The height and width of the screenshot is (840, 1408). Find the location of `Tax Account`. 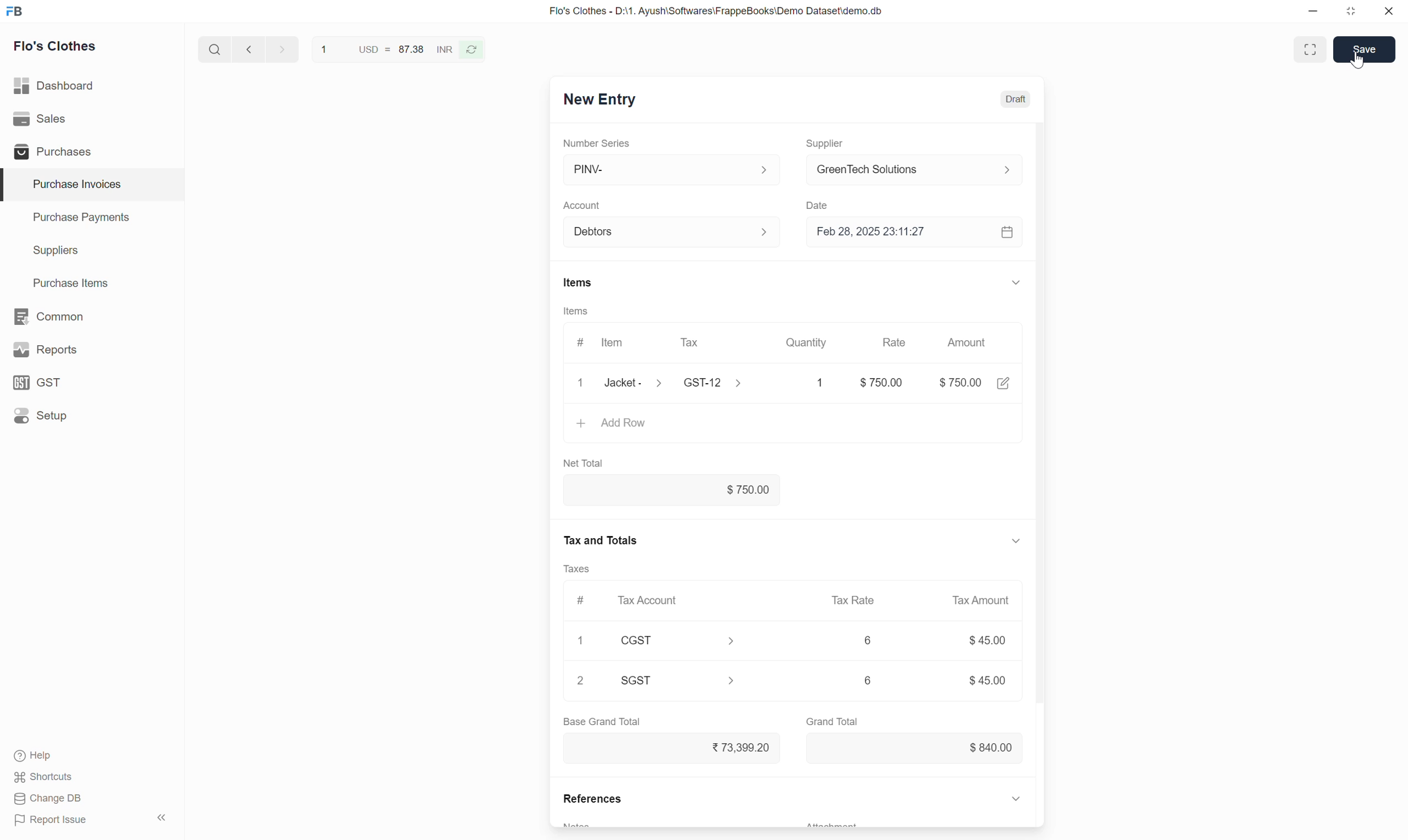

Tax Account is located at coordinates (677, 600).